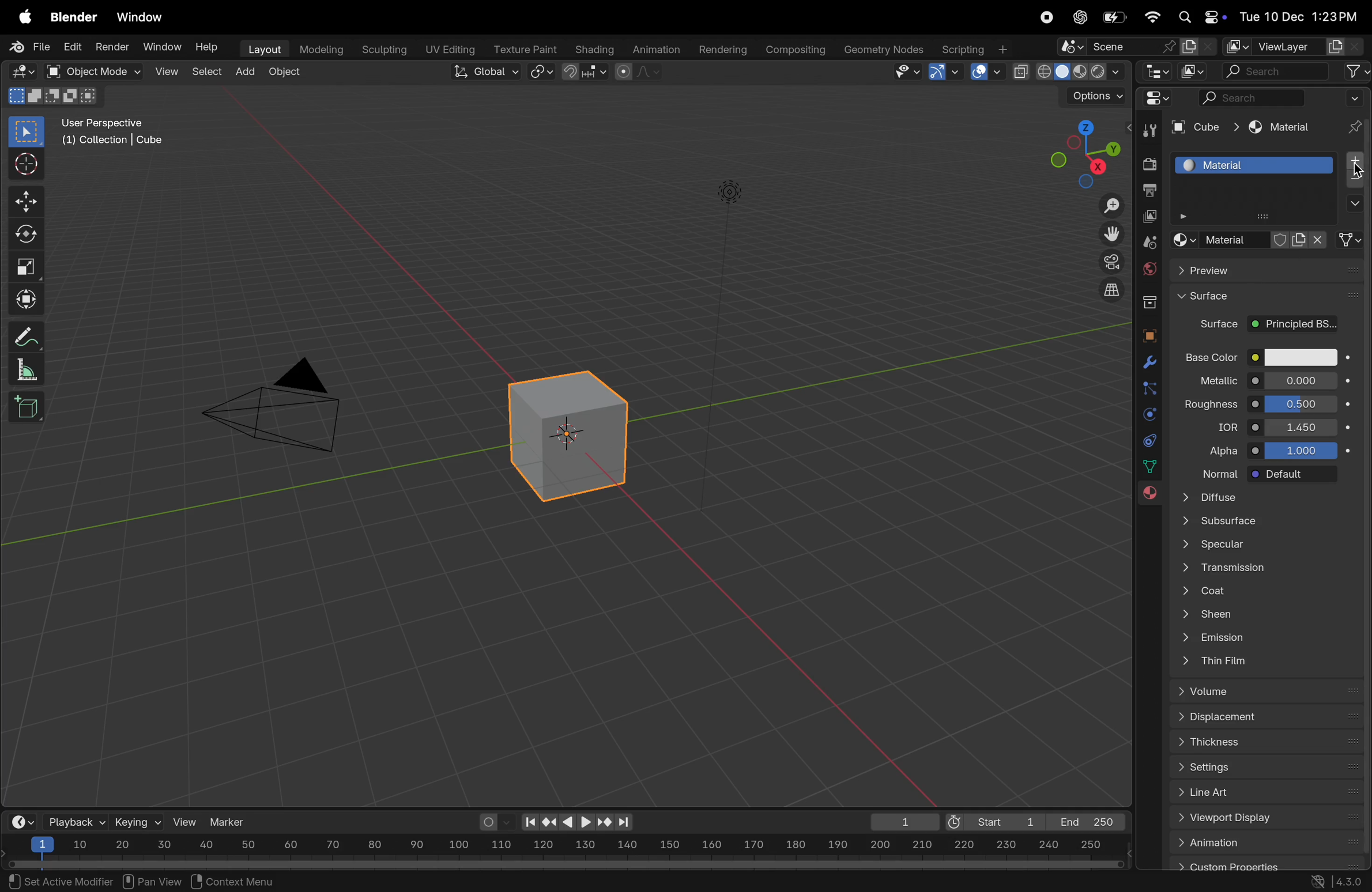 The image size is (1372, 892). Describe the element at coordinates (281, 402) in the screenshot. I see `camera view ` at that location.